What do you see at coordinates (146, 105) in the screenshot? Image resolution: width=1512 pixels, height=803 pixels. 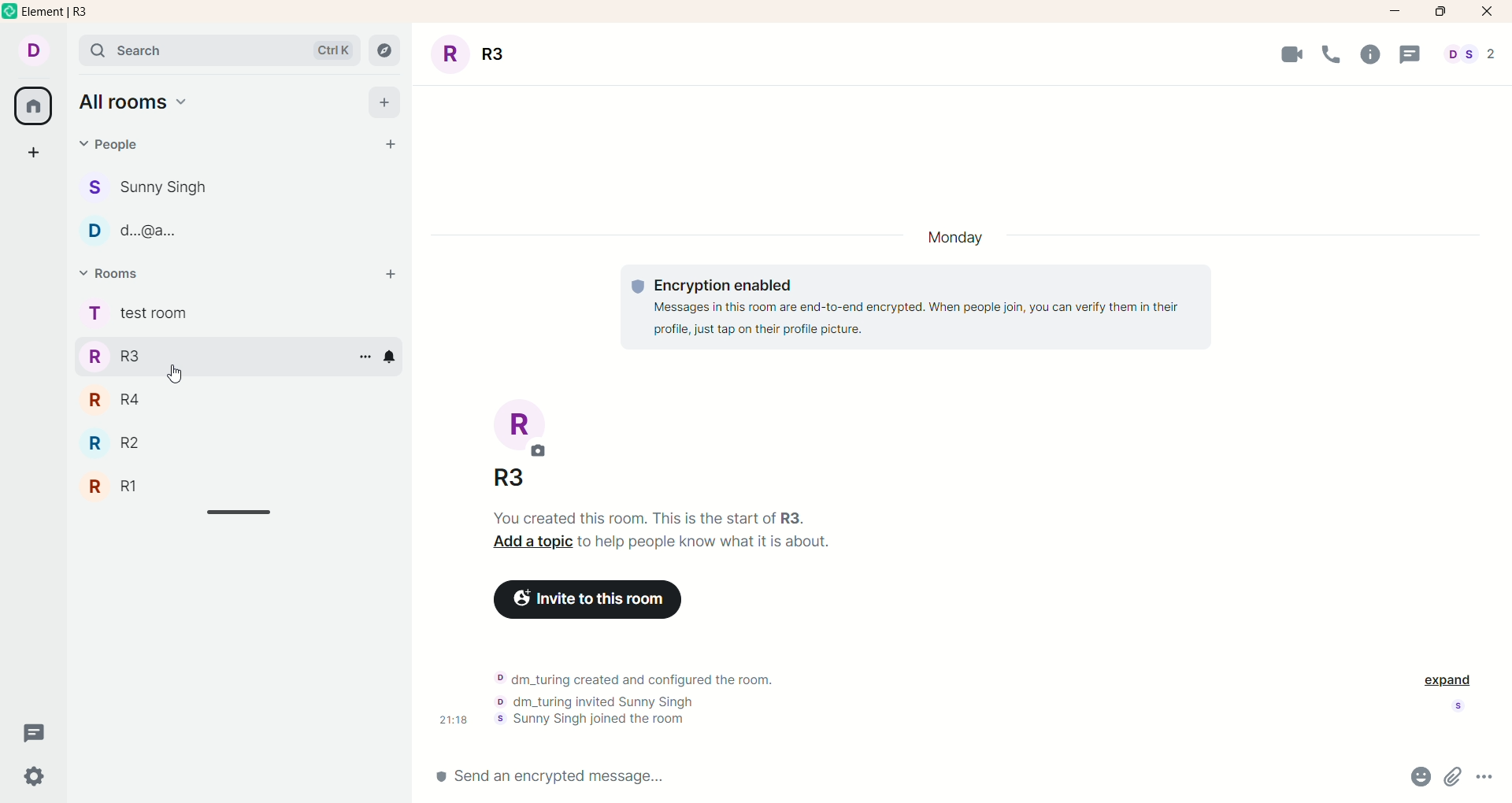 I see `all rooms` at bounding box center [146, 105].